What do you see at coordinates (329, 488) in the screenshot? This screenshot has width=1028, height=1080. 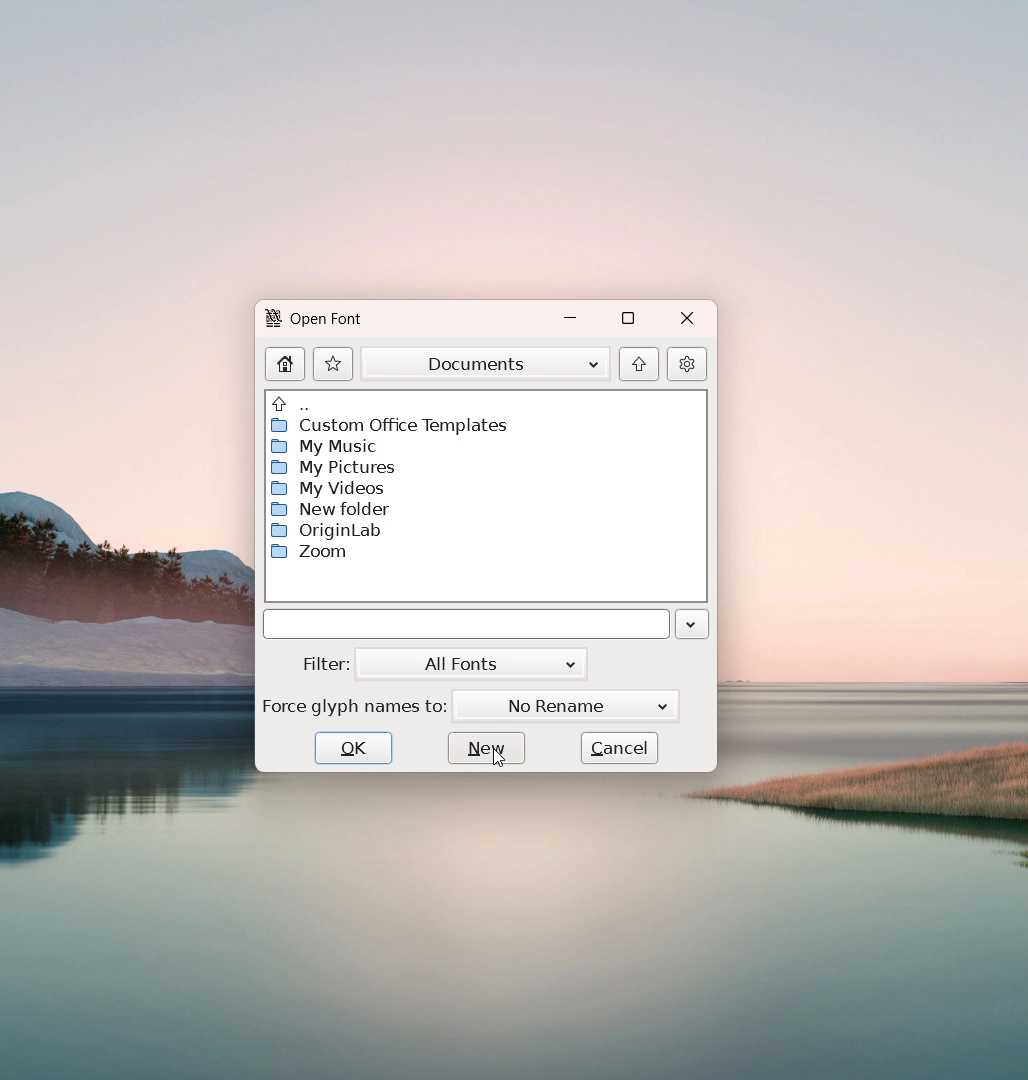 I see `My Videos` at bounding box center [329, 488].